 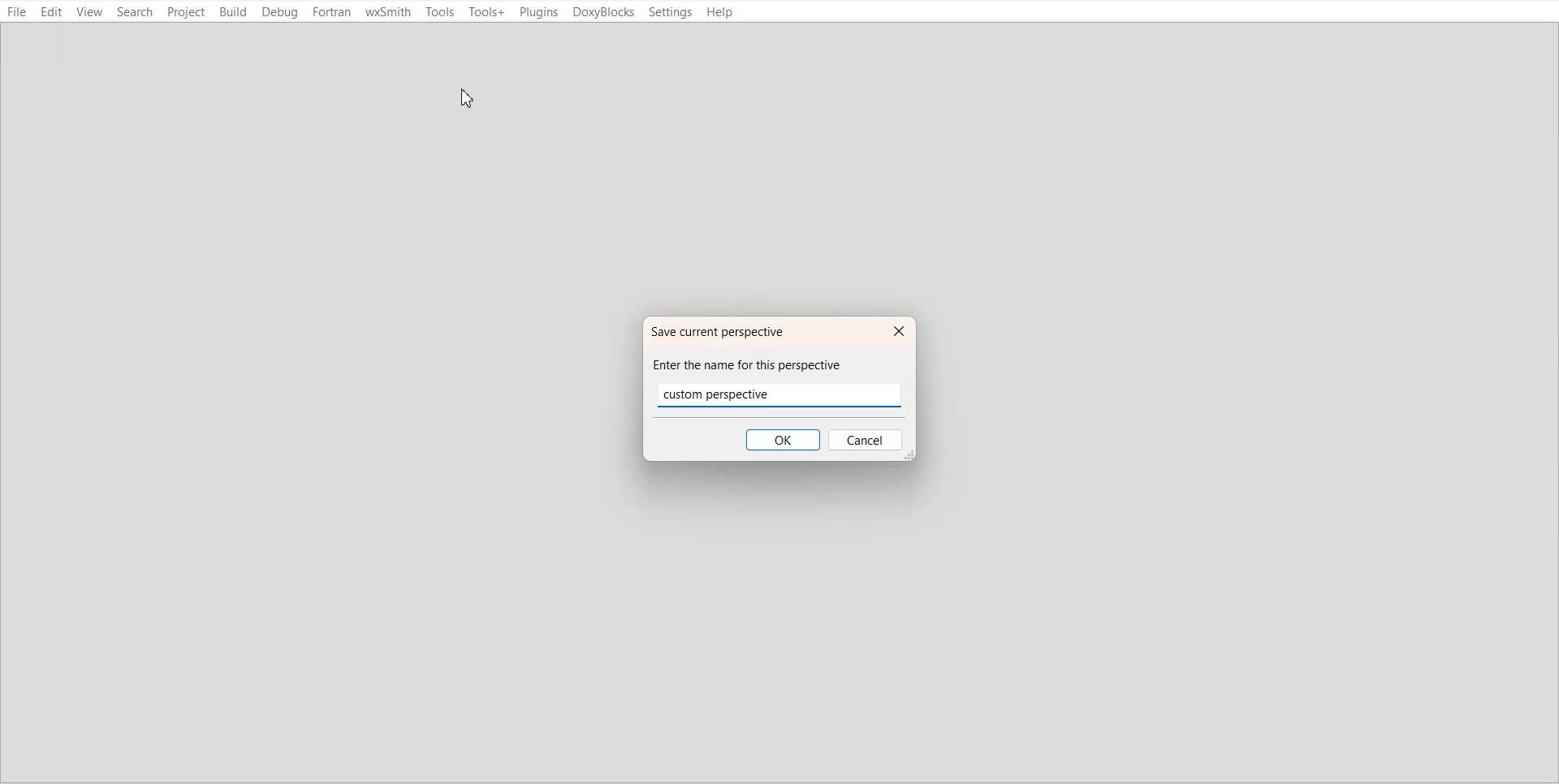 What do you see at coordinates (388, 12) in the screenshot?
I see `wxSmith` at bounding box center [388, 12].